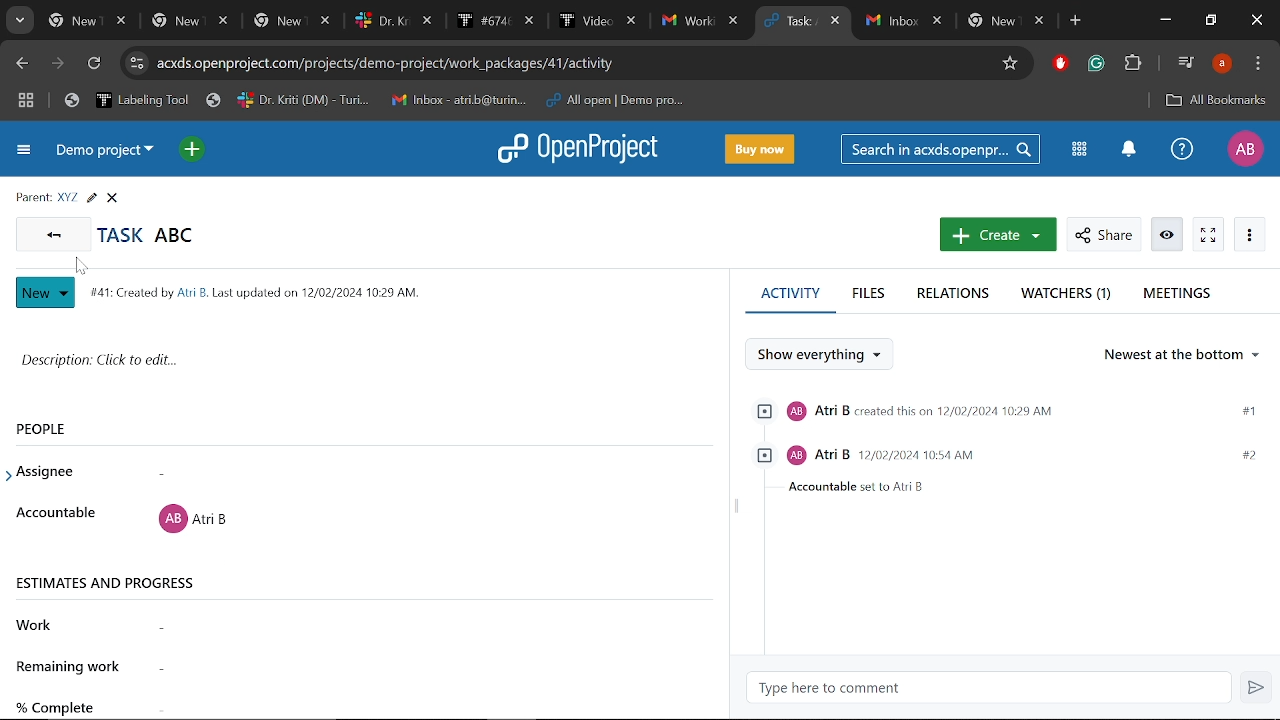 This screenshot has width=1280, height=720. I want to click on People, so click(99, 429).